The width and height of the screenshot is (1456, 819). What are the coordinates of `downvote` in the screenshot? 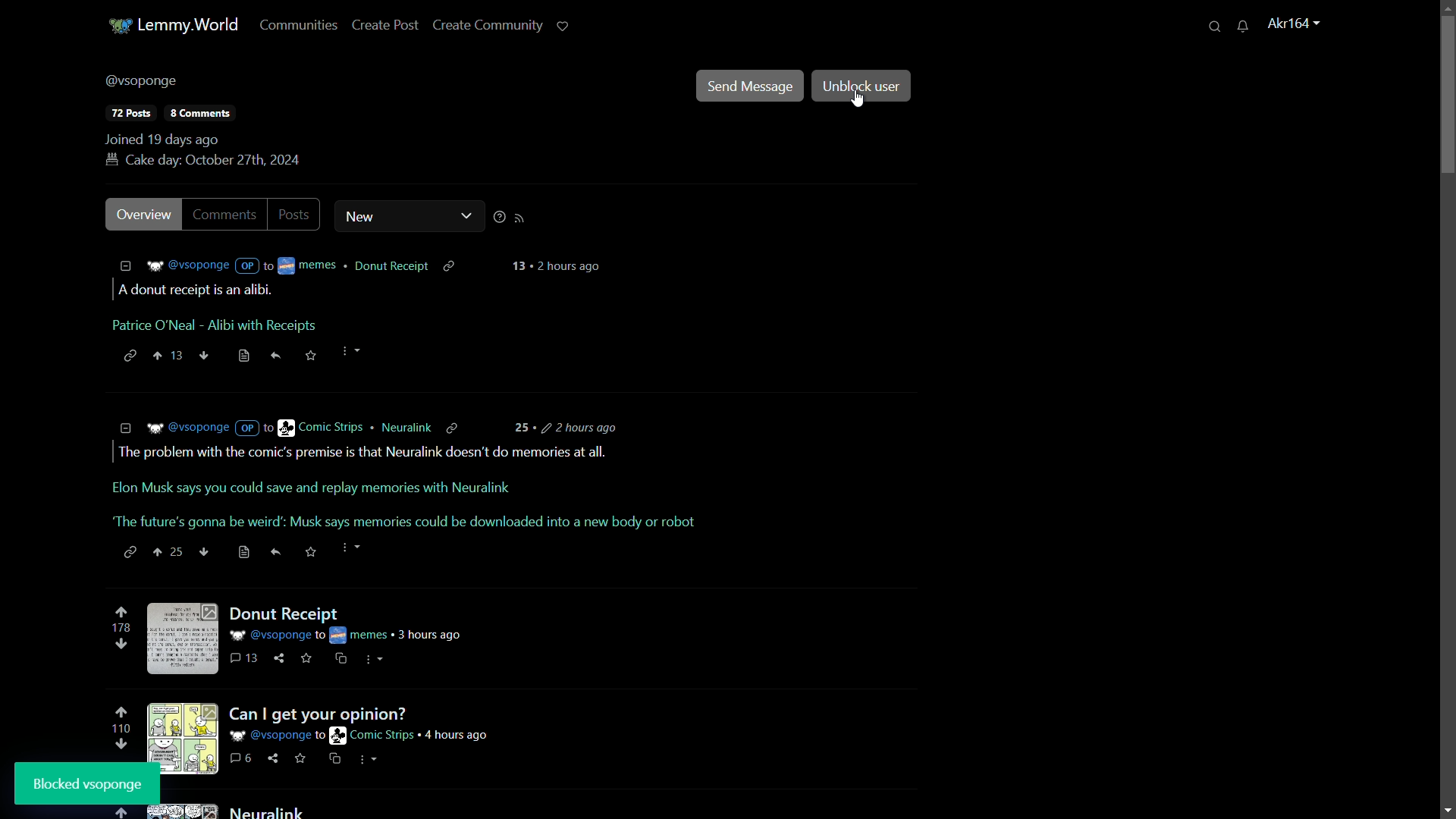 It's located at (122, 644).